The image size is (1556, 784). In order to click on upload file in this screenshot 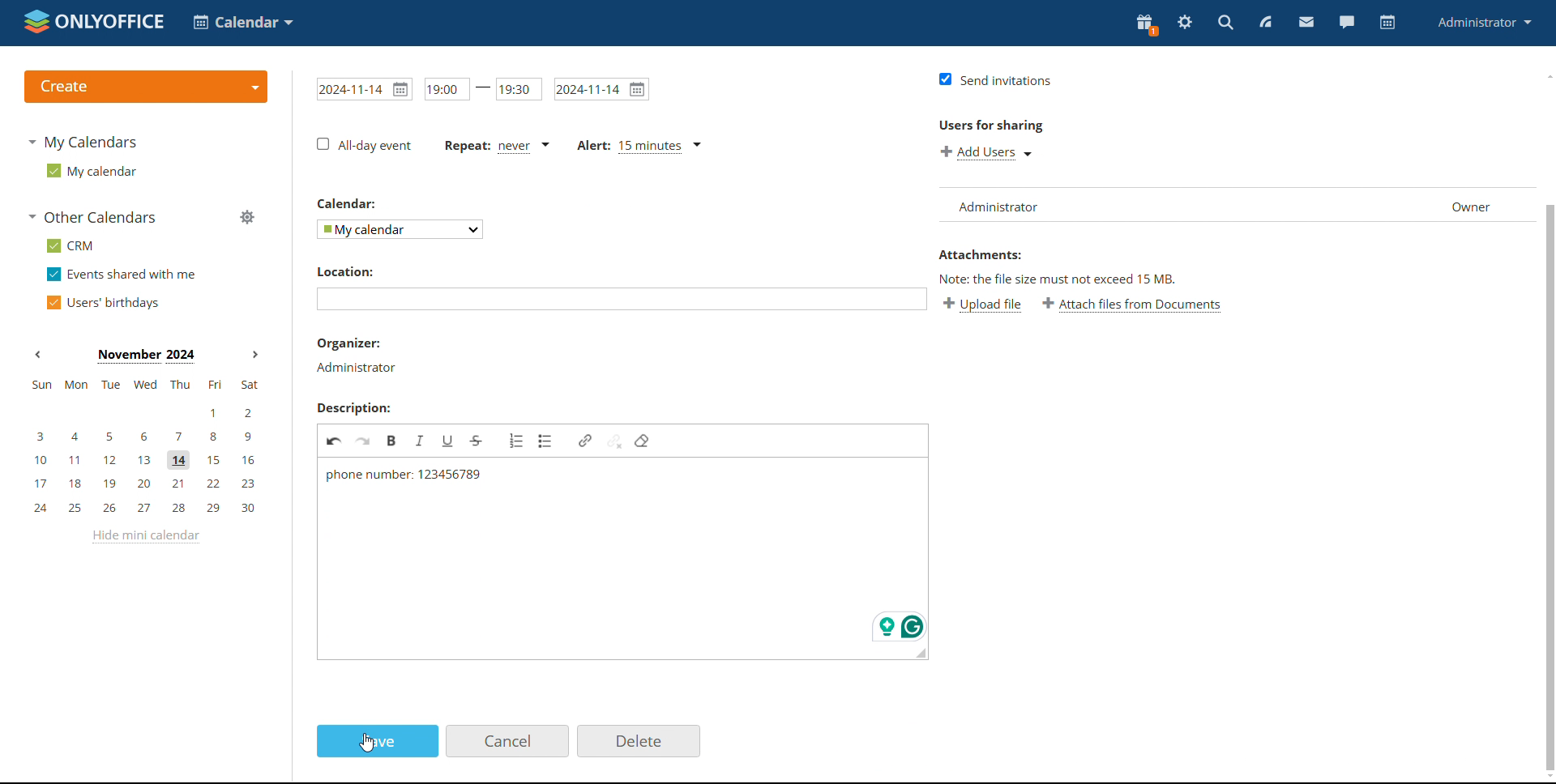, I will do `click(982, 305)`.